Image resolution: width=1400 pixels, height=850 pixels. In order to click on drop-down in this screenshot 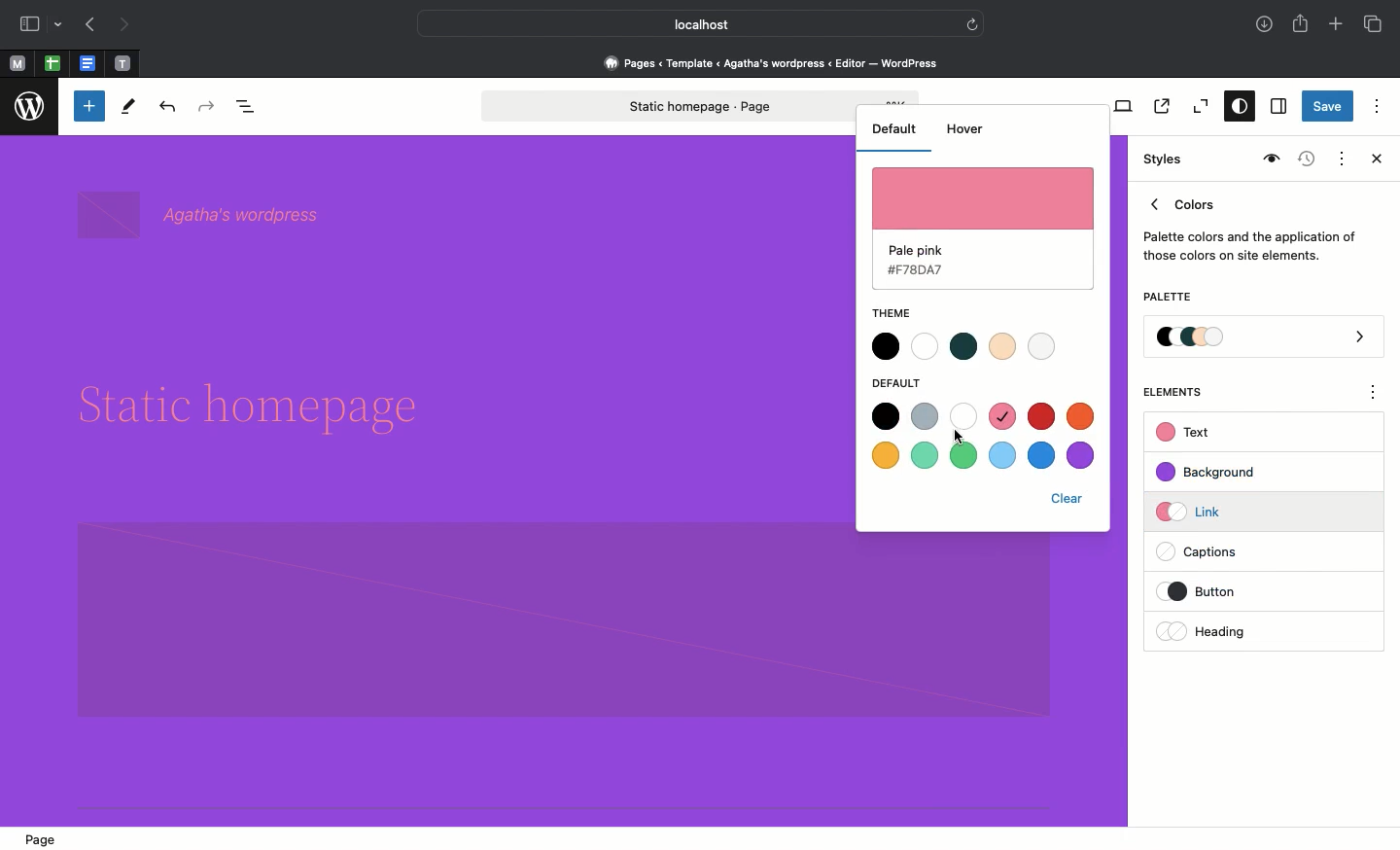, I will do `click(61, 25)`.